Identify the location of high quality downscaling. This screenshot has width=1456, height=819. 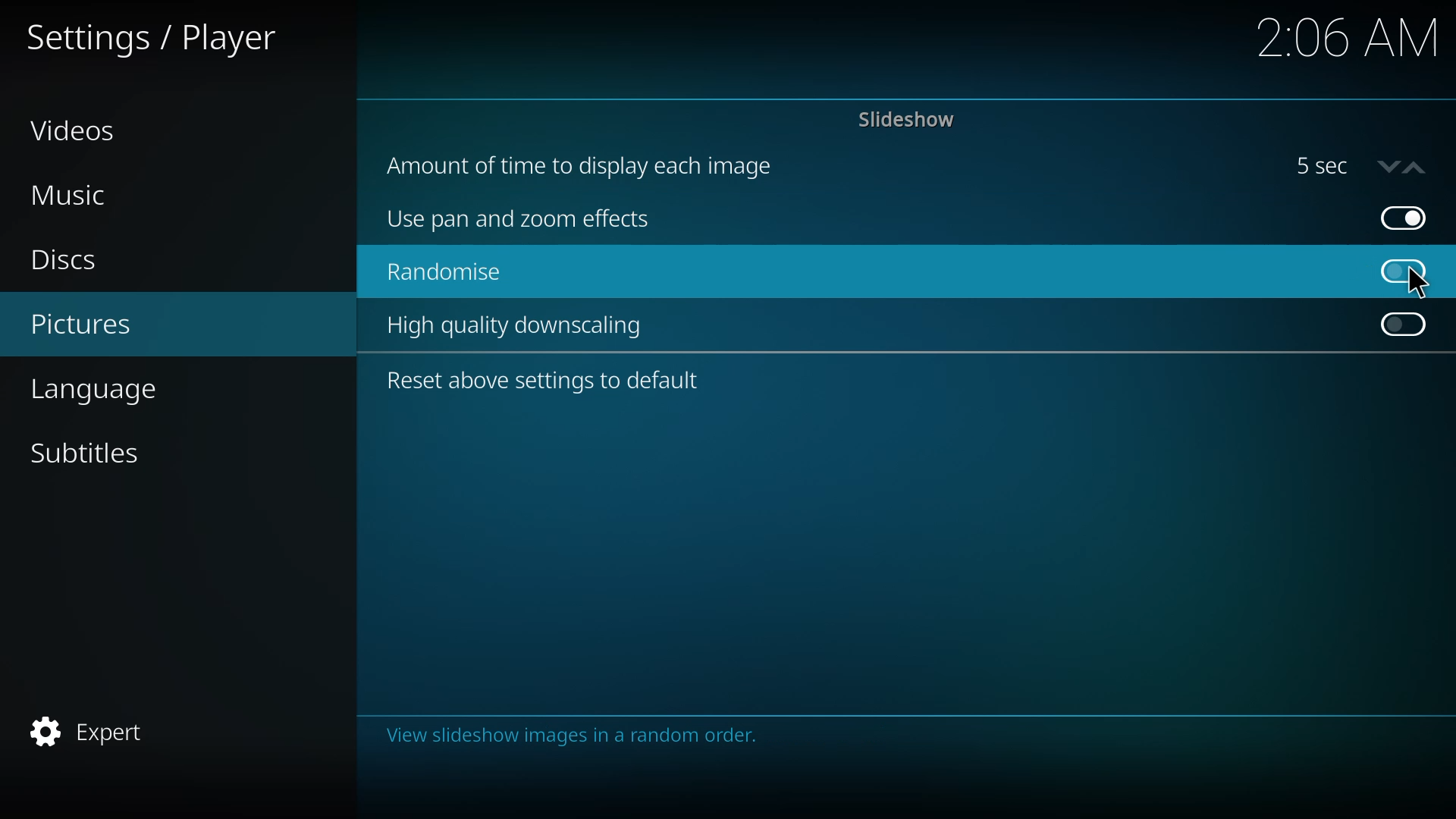
(519, 328).